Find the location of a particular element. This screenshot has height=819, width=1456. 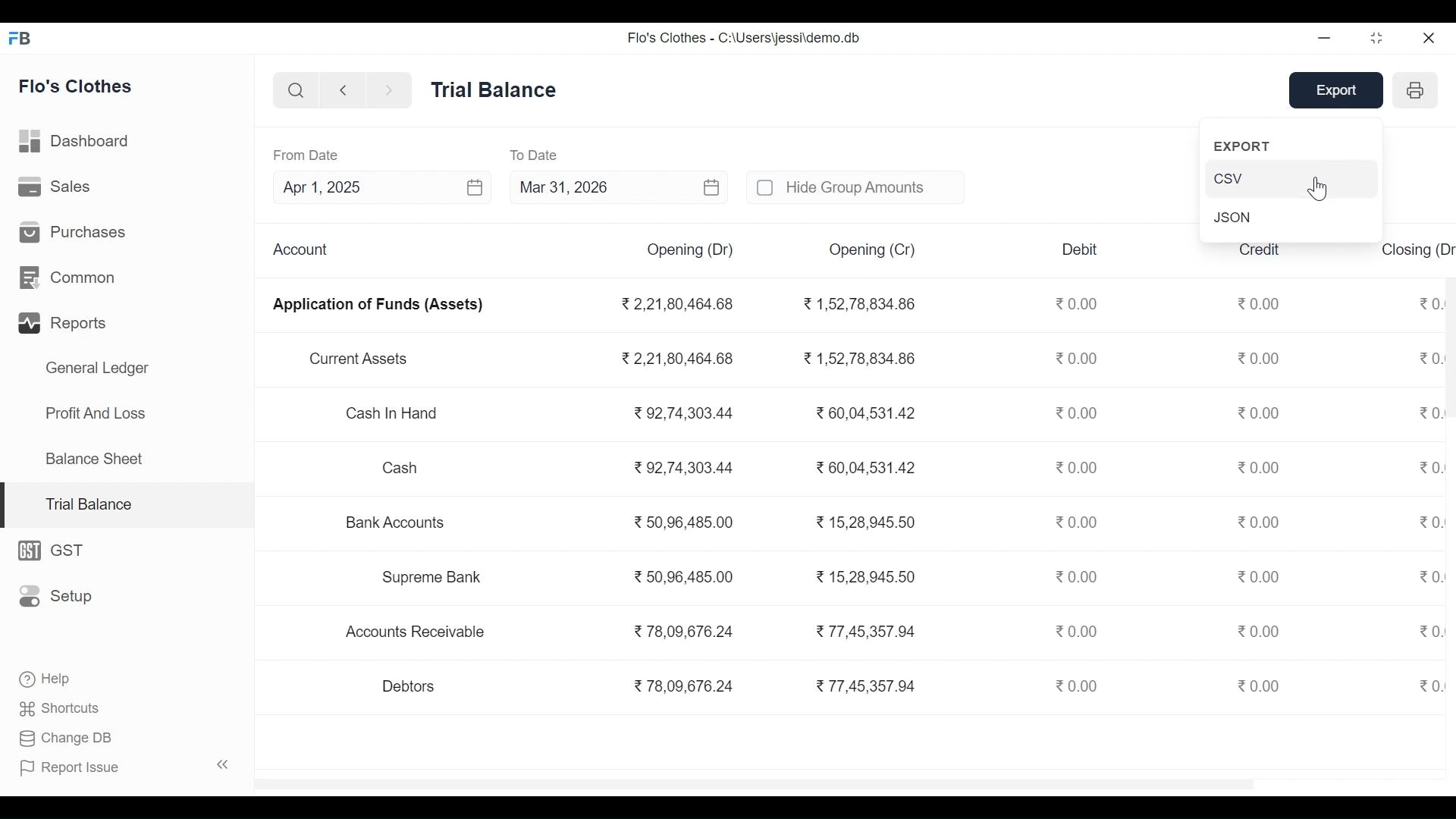

From Date is located at coordinates (306, 155).